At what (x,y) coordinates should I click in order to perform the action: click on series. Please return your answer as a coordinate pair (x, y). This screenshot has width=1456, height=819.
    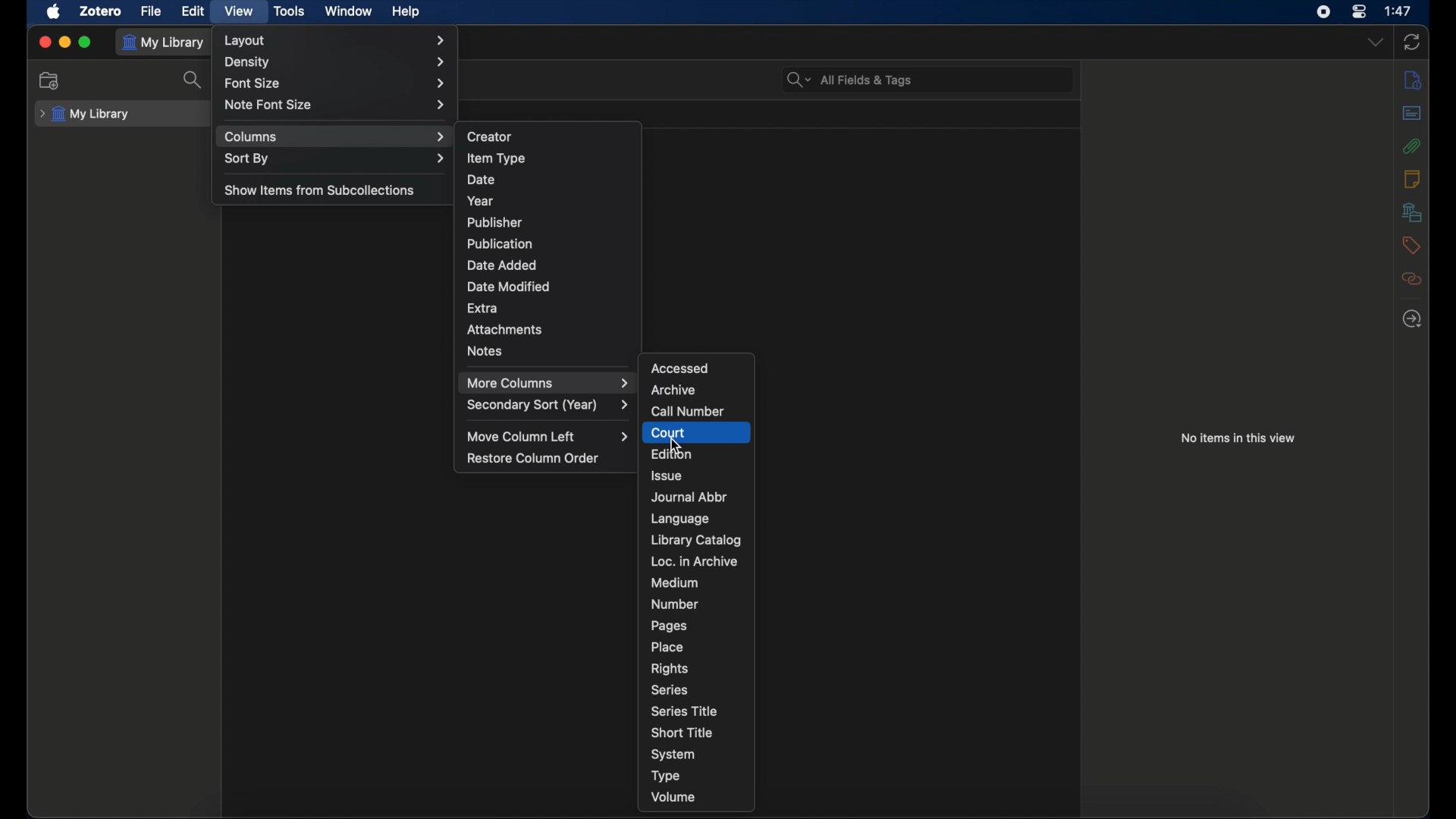
    Looking at the image, I should click on (670, 690).